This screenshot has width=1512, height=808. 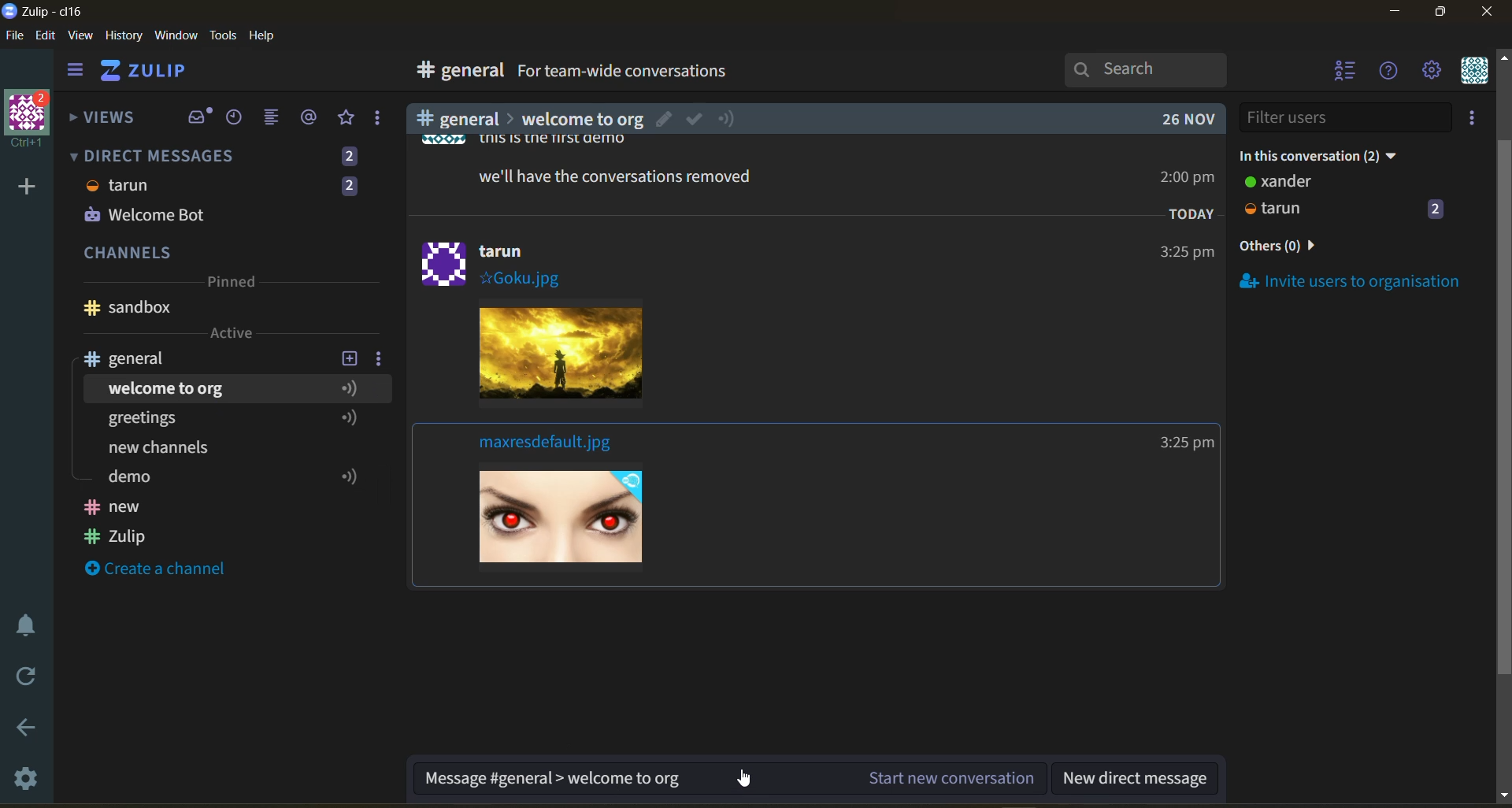 I want to click on inbox, so click(x=456, y=72).